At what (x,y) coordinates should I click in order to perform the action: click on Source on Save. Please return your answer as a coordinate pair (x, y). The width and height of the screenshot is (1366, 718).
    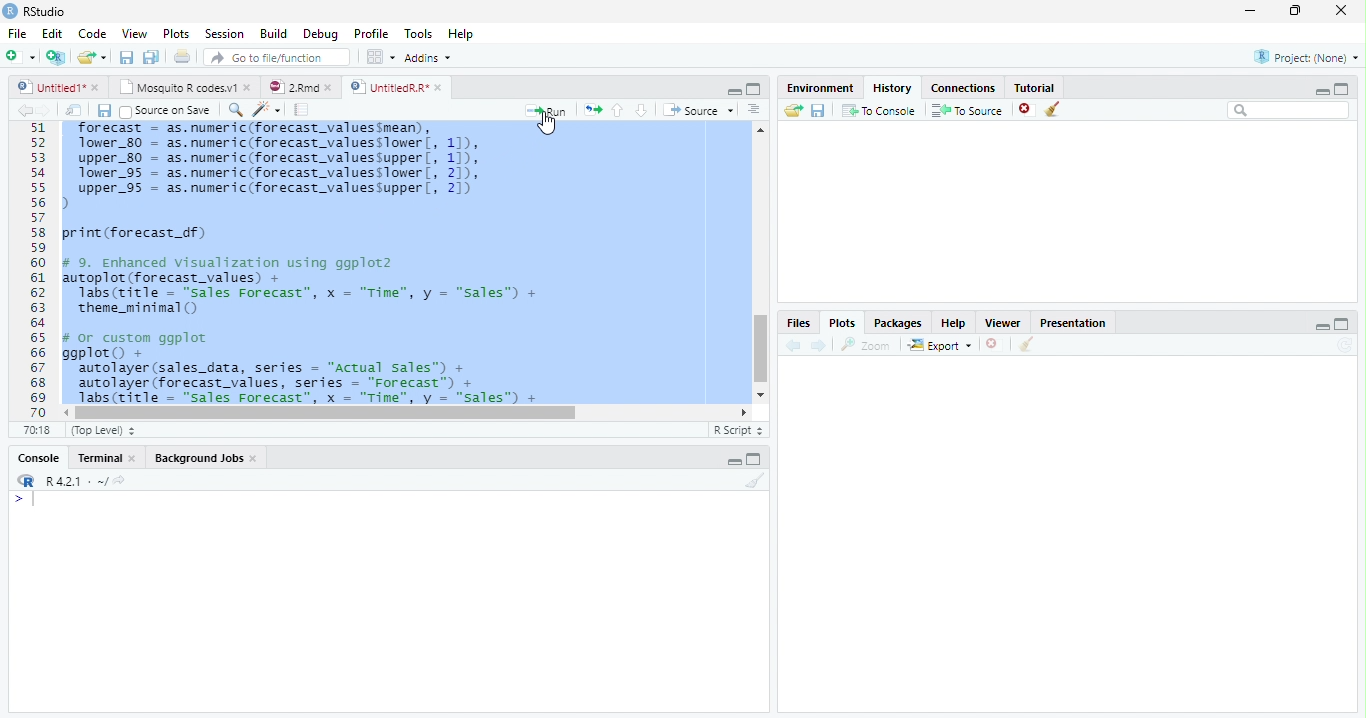
    Looking at the image, I should click on (165, 111).